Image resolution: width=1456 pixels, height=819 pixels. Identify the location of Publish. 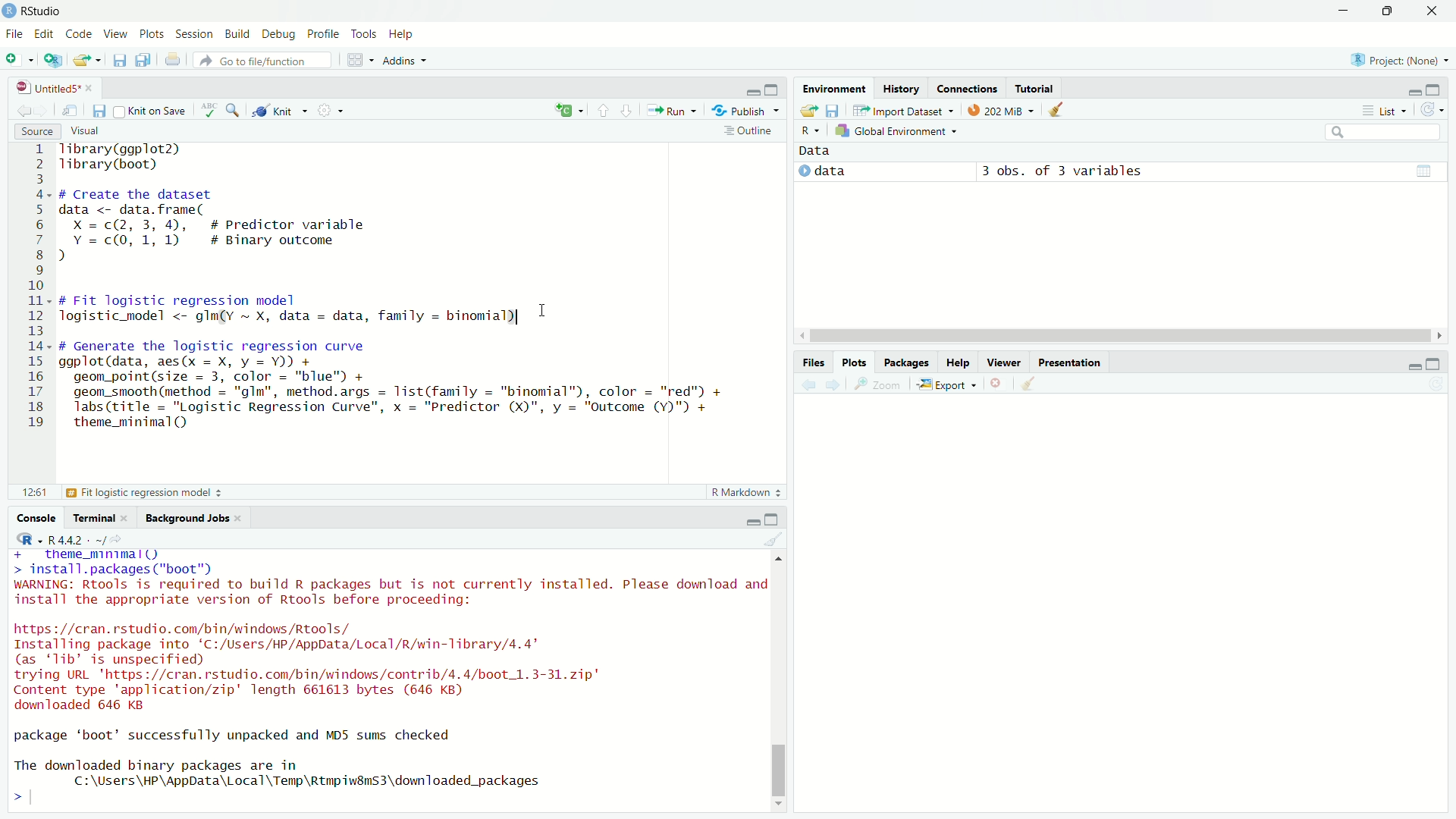
(745, 110).